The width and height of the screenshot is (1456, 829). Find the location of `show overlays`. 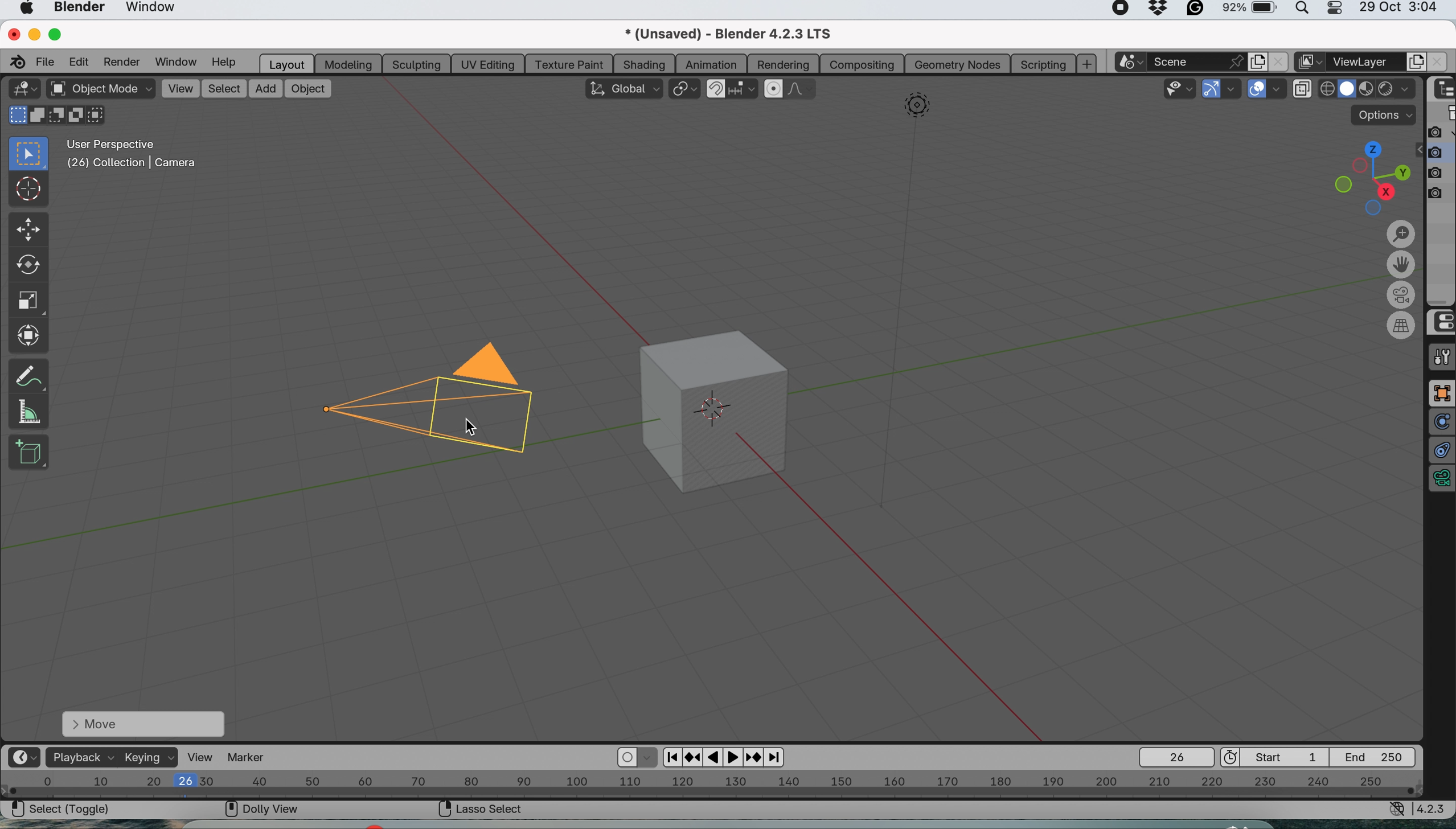

show overlays is located at coordinates (1258, 90).